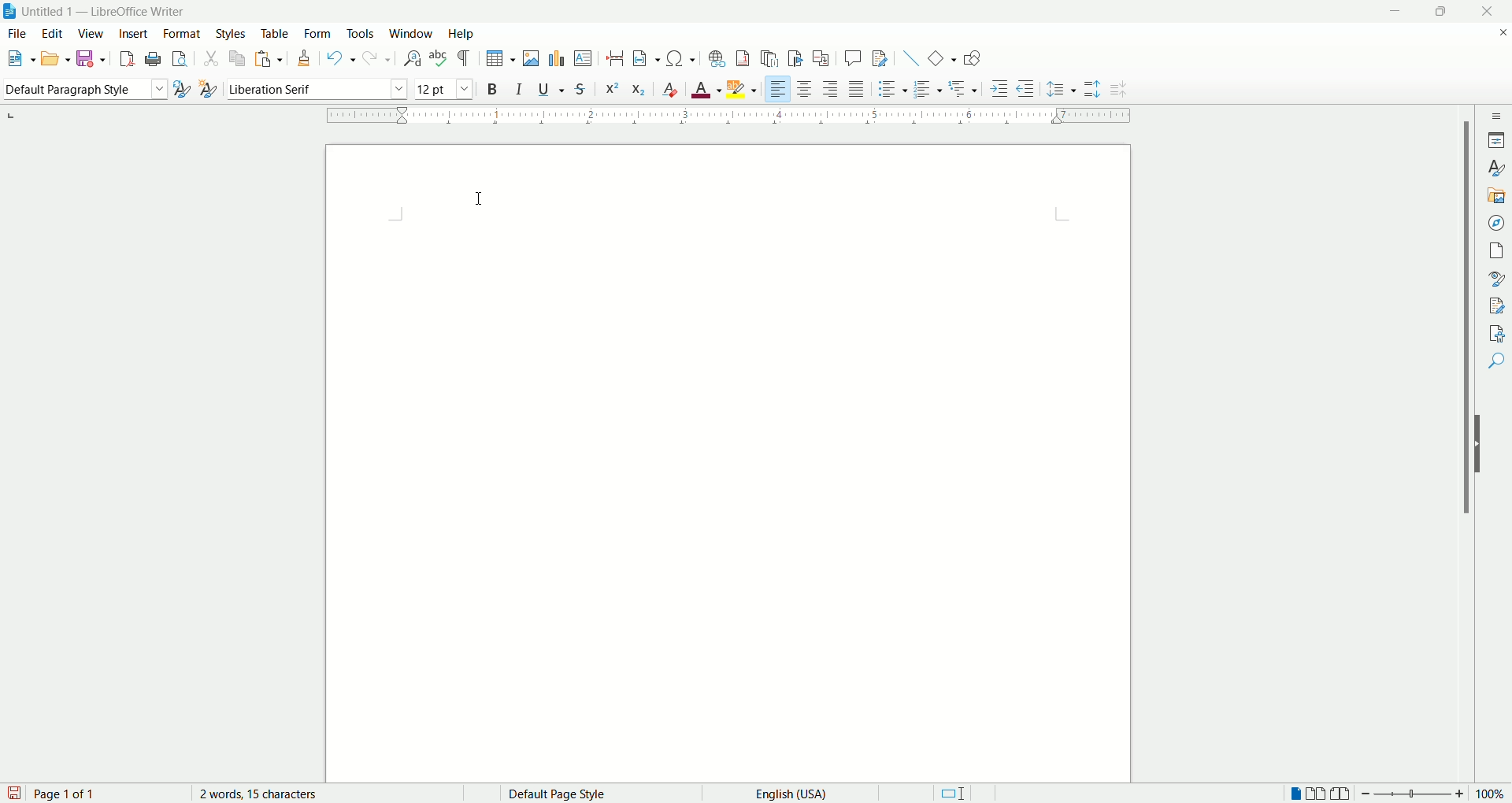 The width and height of the screenshot is (1512, 803). What do you see at coordinates (516, 90) in the screenshot?
I see `italic` at bounding box center [516, 90].